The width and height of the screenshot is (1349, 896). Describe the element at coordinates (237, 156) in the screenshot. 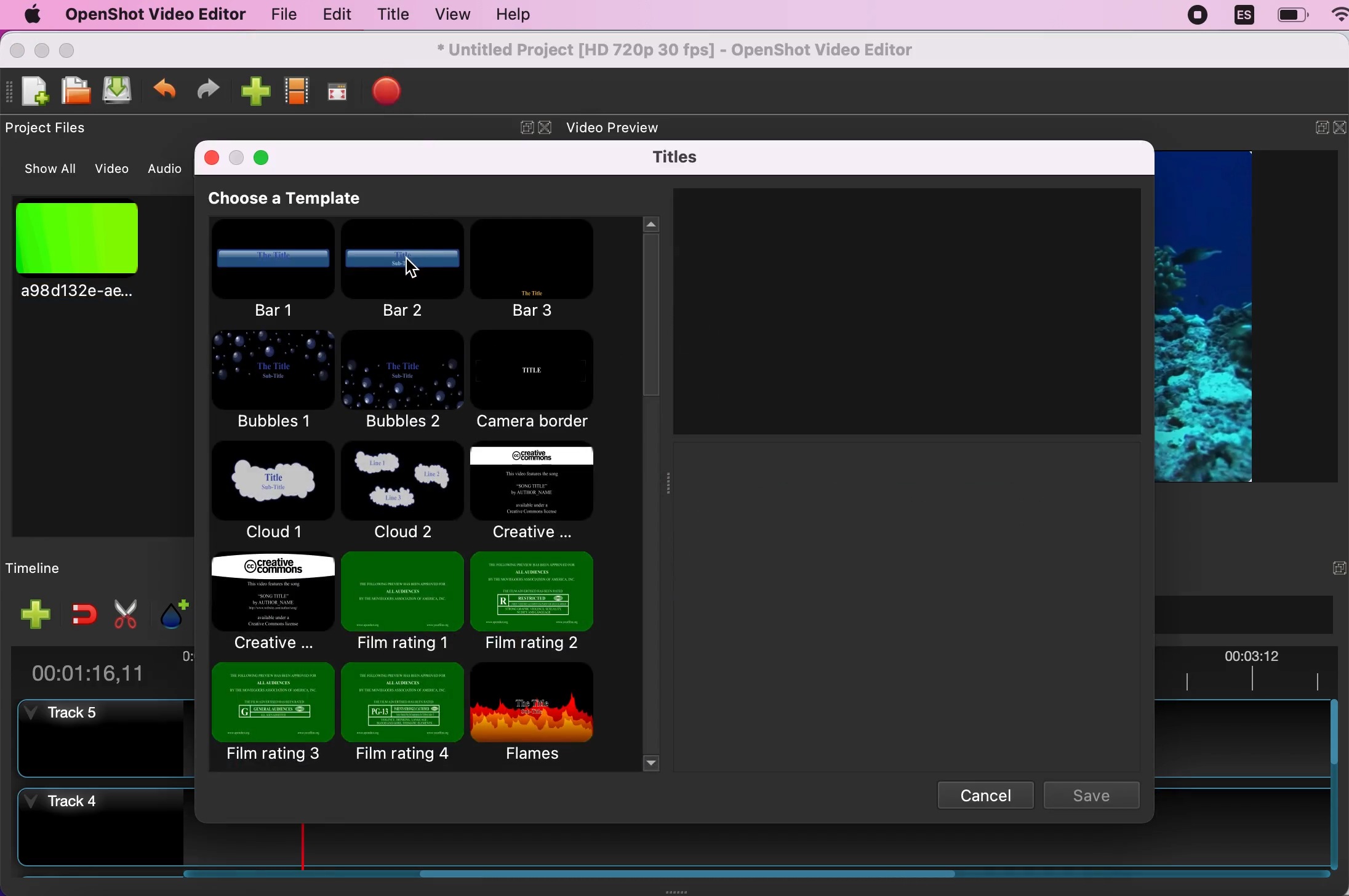

I see `minimize` at that location.